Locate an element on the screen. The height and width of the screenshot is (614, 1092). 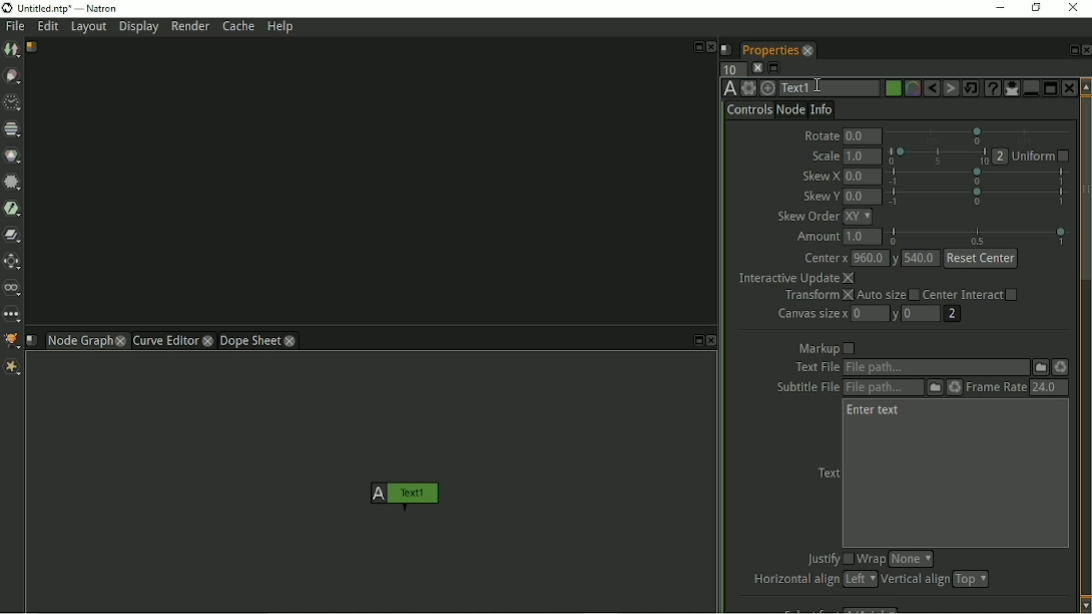
Text1 is located at coordinates (828, 89).